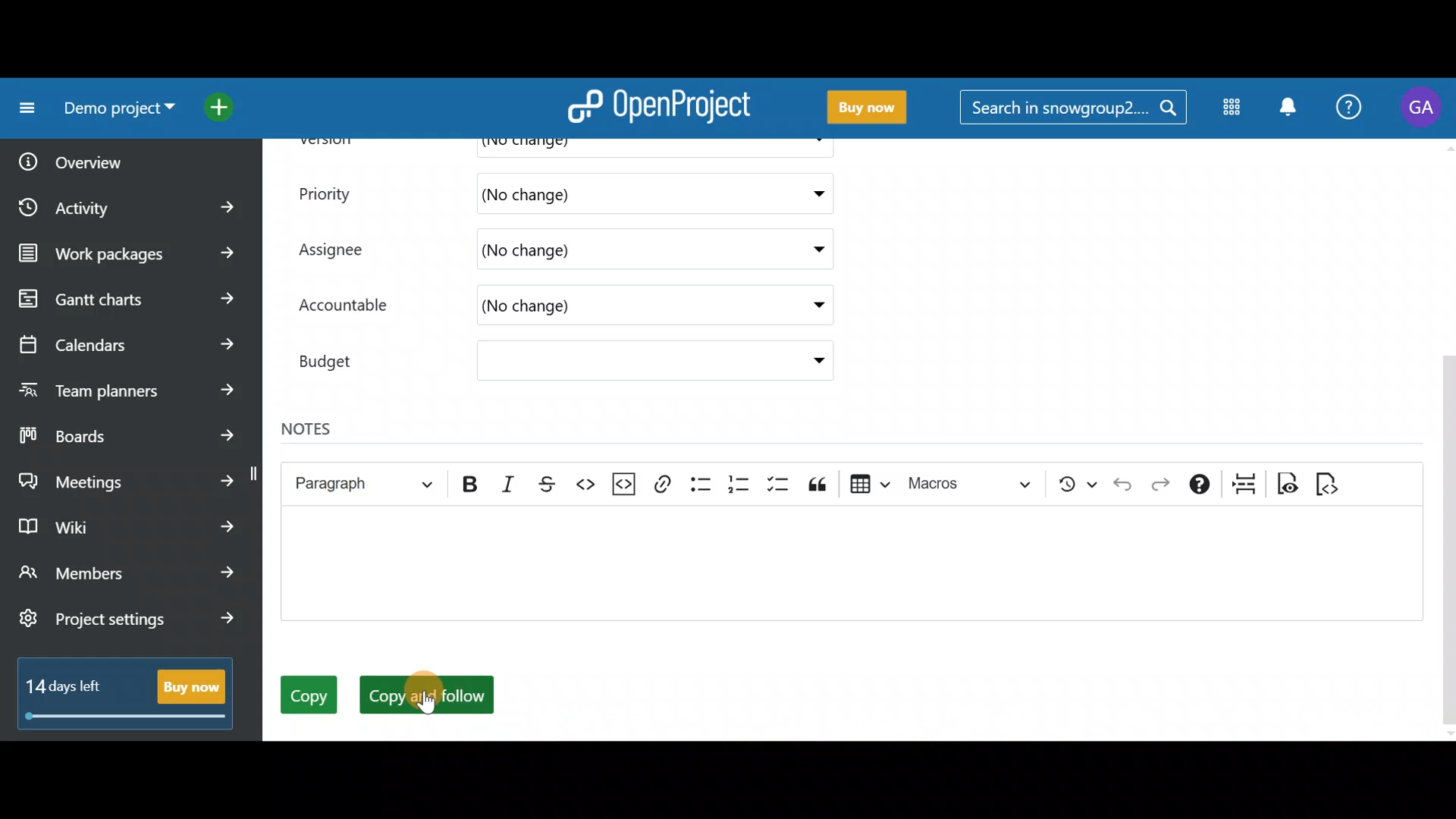  What do you see at coordinates (336, 193) in the screenshot?
I see `Priority` at bounding box center [336, 193].